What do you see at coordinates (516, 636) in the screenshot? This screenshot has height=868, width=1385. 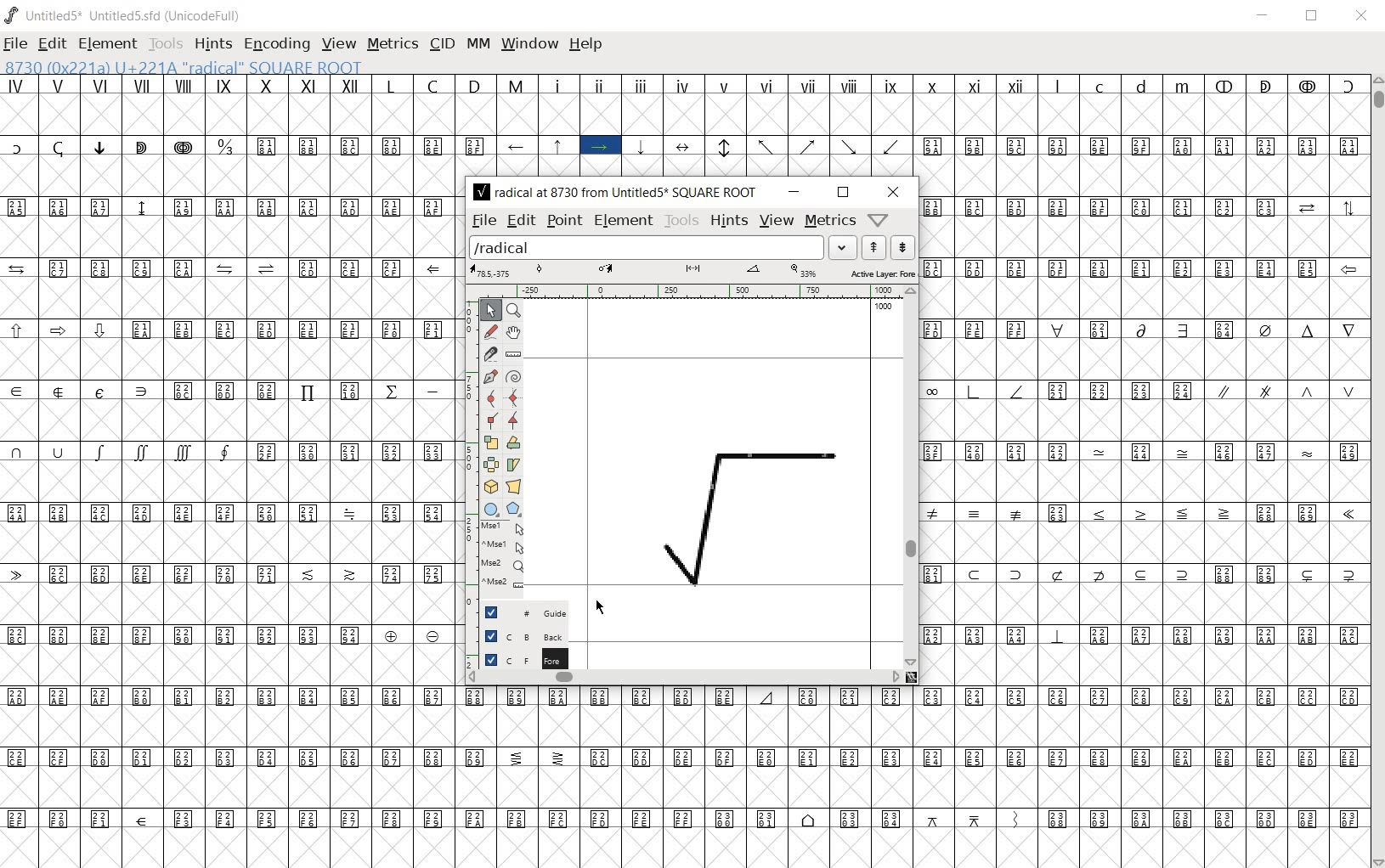 I see `background` at bounding box center [516, 636].